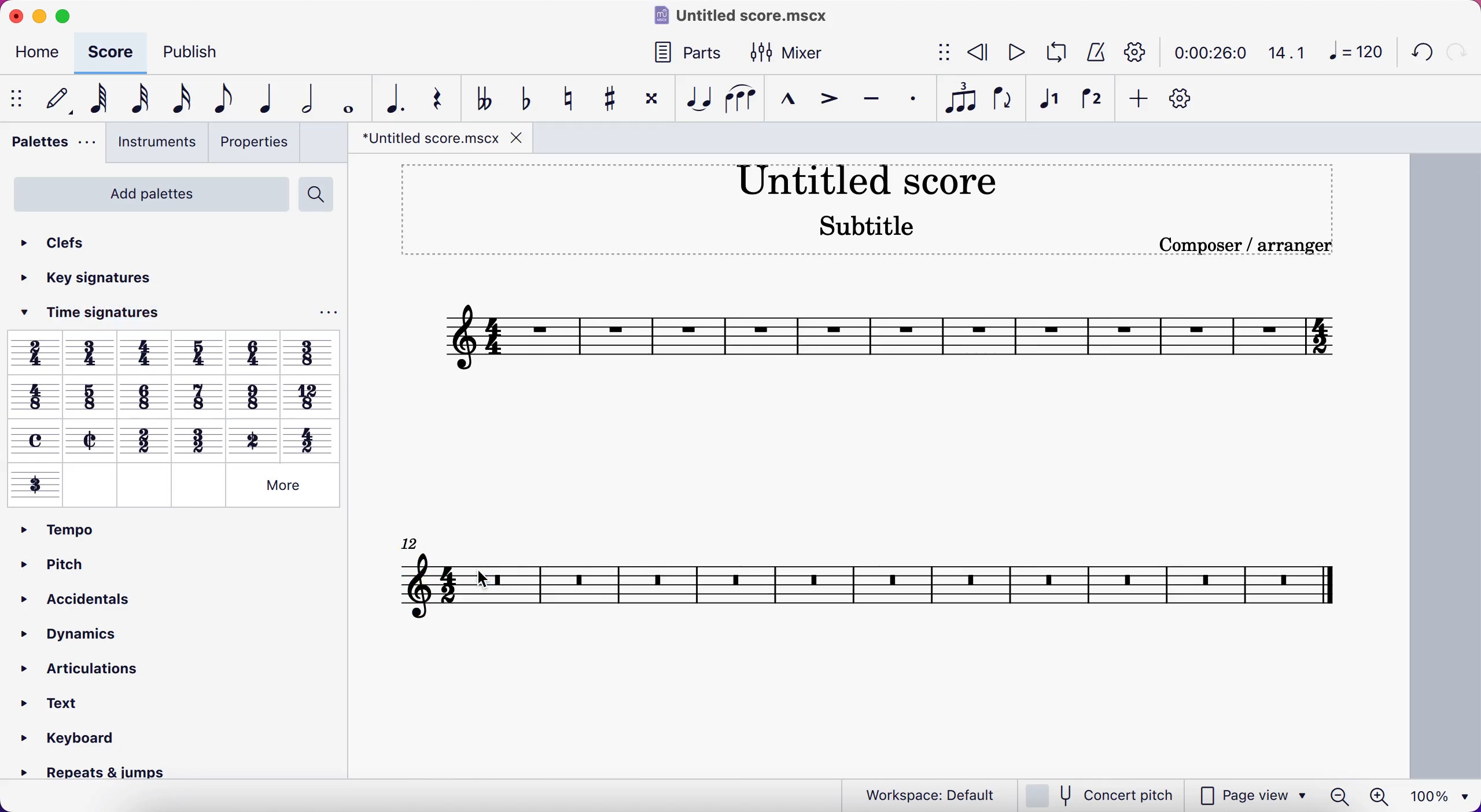 This screenshot has width=1481, height=812. What do you see at coordinates (1092, 53) in the screenshot?
I see `metronome` at bounding box center [1092, 53].